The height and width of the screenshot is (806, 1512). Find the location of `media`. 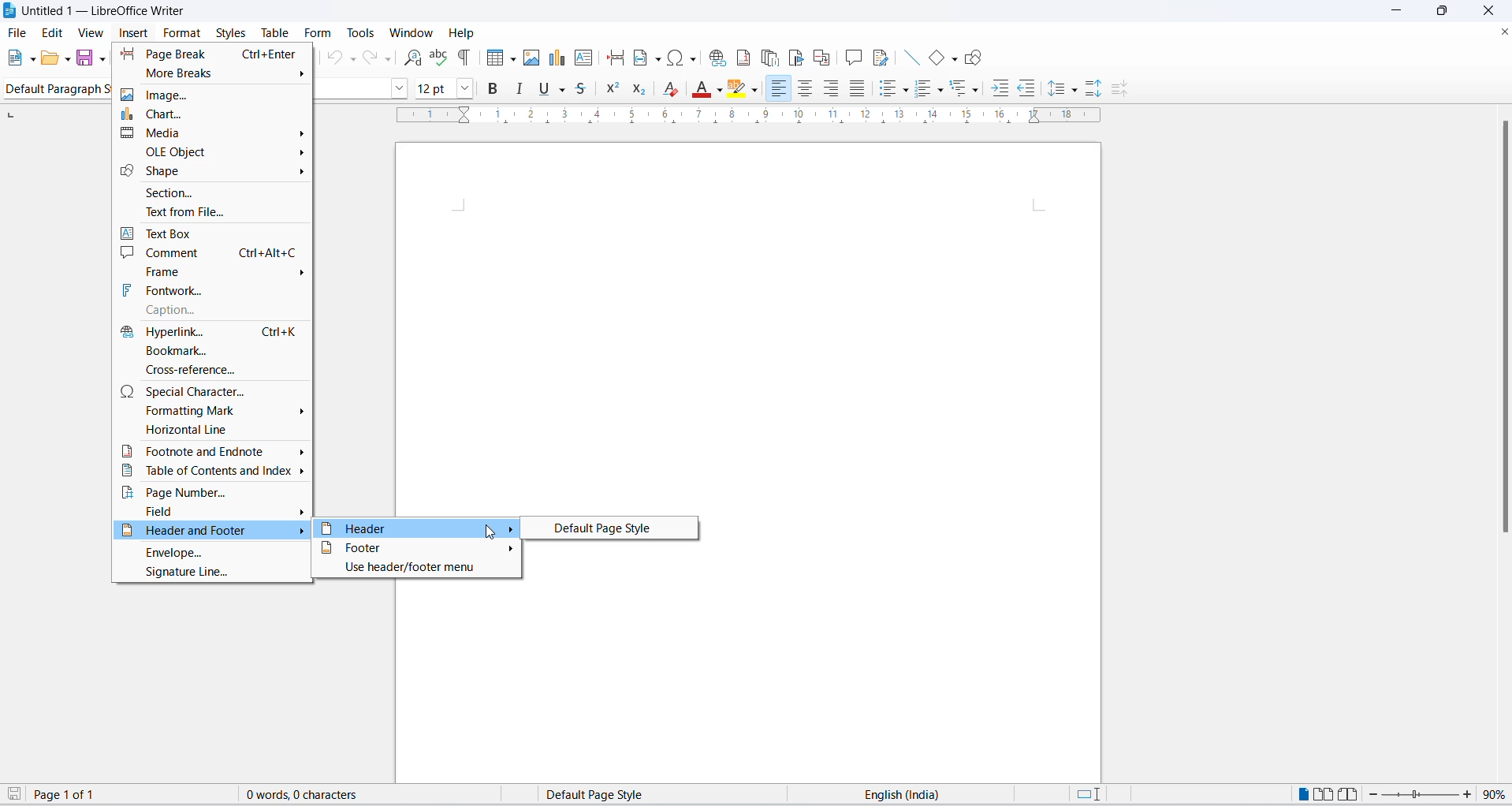

media is located at coordinates (210, 135).